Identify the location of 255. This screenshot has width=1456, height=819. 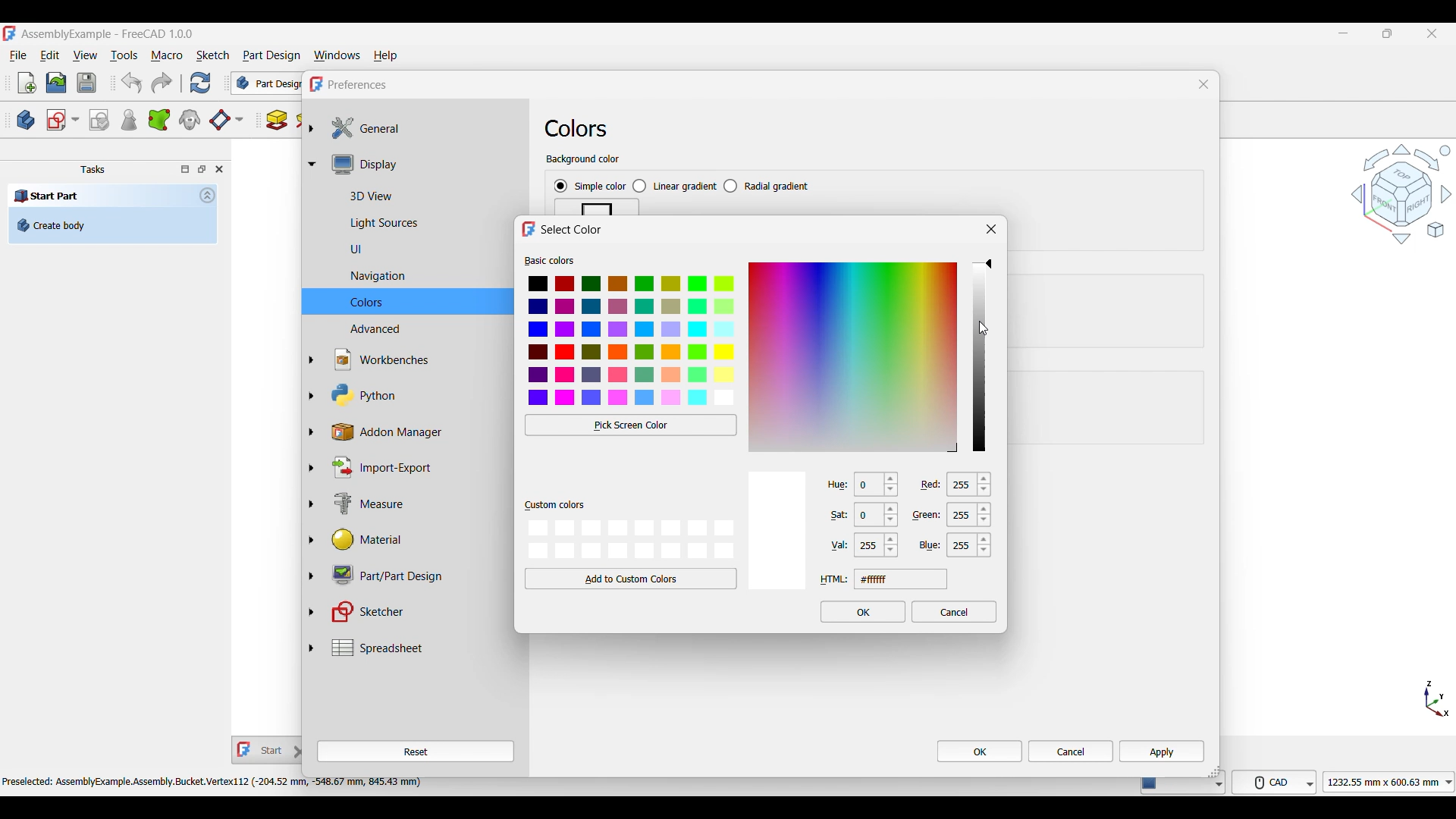
(971, 547).